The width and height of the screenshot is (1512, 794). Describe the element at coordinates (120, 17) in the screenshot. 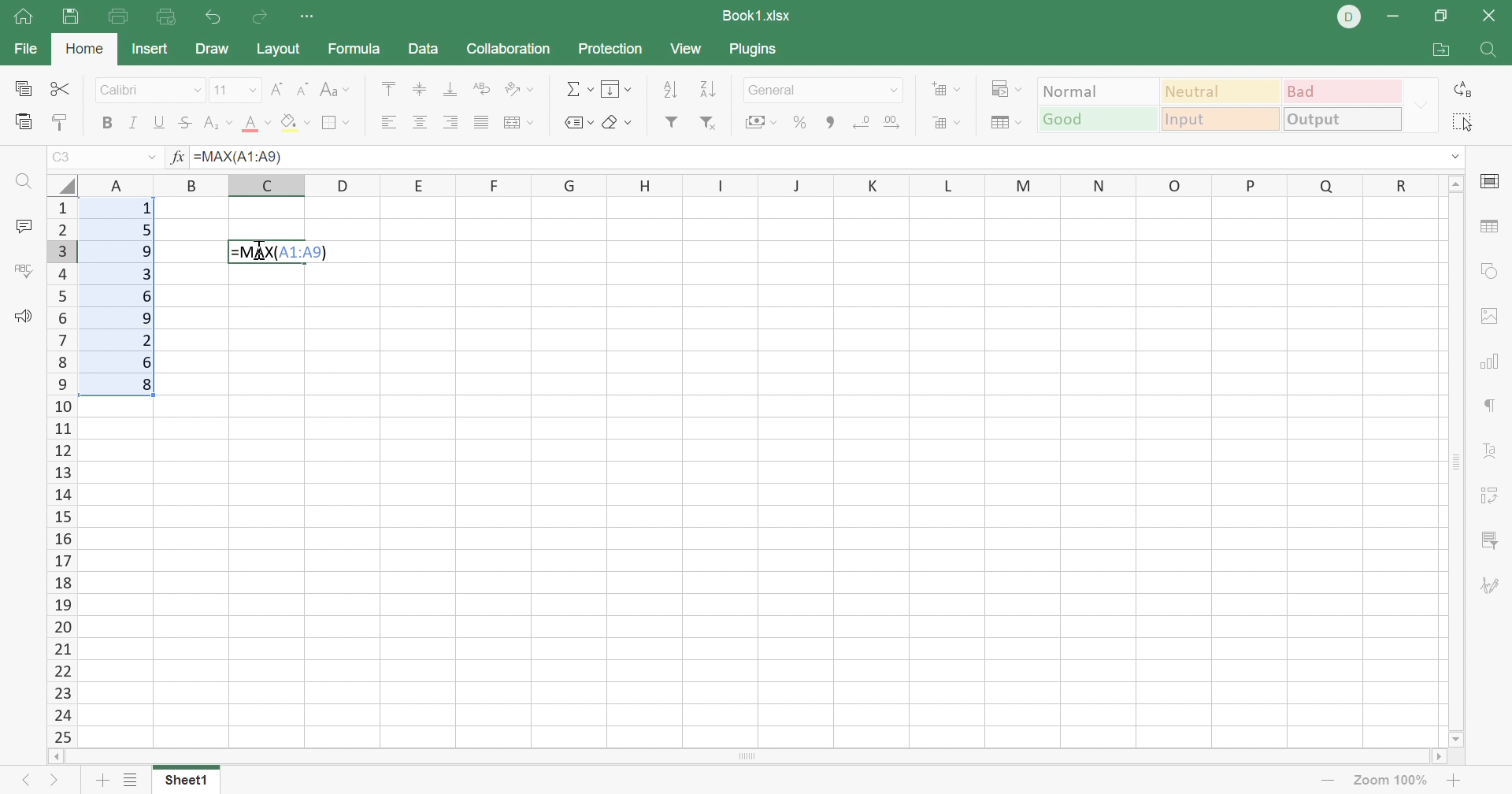

I see `print` at that location.